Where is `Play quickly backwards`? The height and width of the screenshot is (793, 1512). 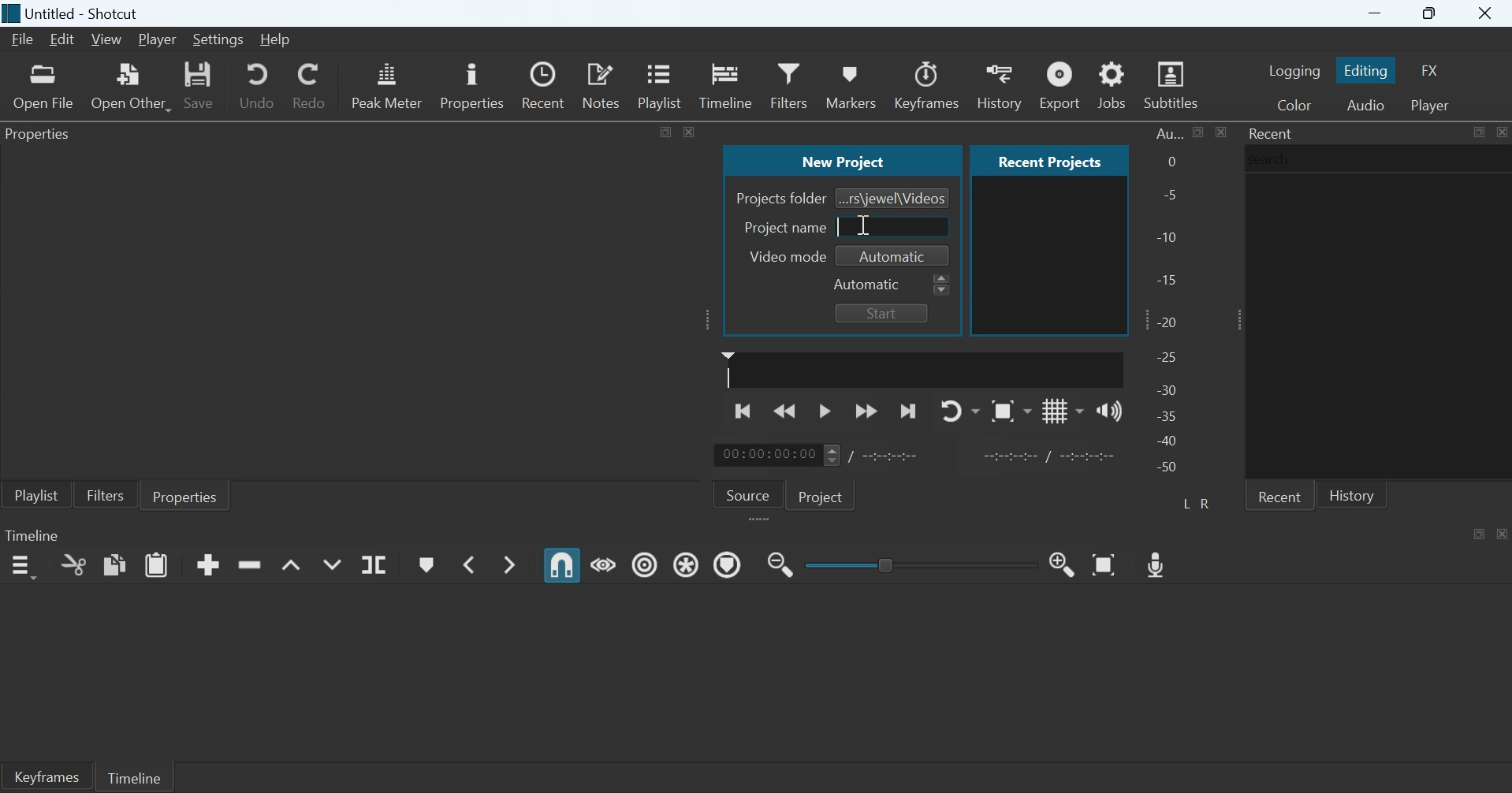
Play quickly backwards is located at coordinates (786, 410).